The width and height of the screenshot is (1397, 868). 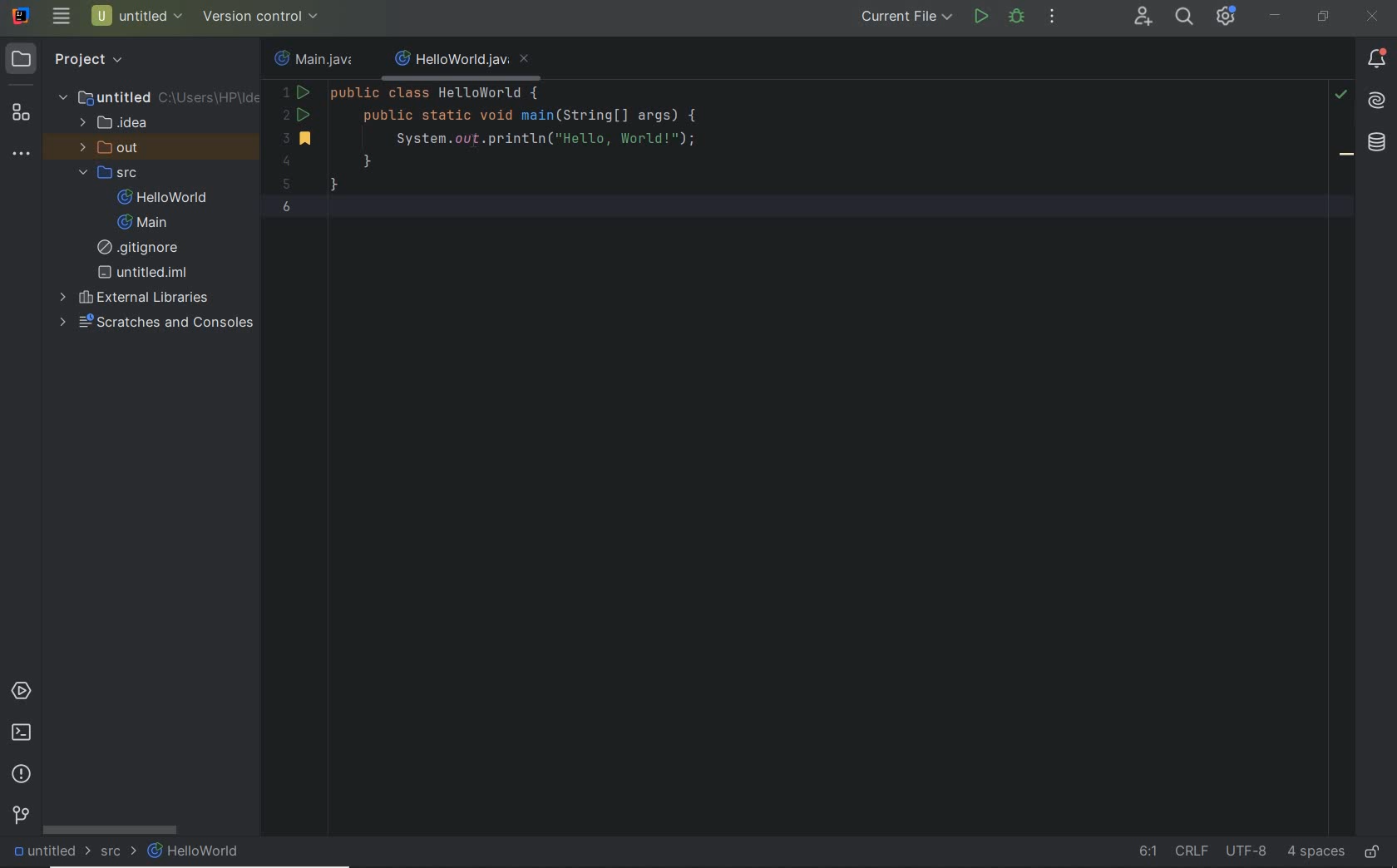 What do you see at coordinates (1374, 849) in the screenshot?
I see `Edit or read only` at bounding box center [1374, 849].